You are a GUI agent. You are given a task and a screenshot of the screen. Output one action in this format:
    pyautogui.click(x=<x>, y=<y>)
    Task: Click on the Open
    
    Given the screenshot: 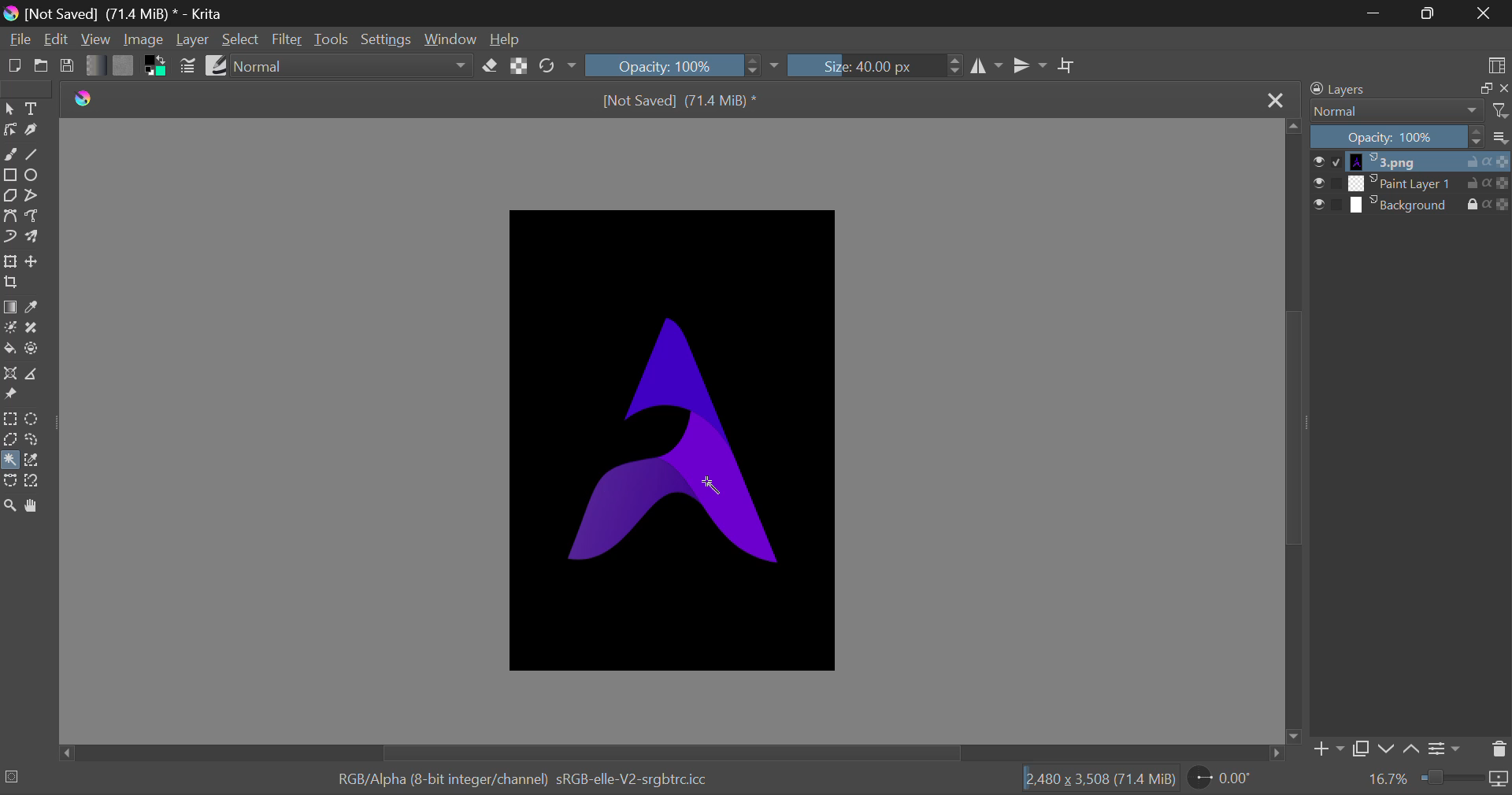 What is the action you would take?
    pyautogui.click(x=41, y=66)
    